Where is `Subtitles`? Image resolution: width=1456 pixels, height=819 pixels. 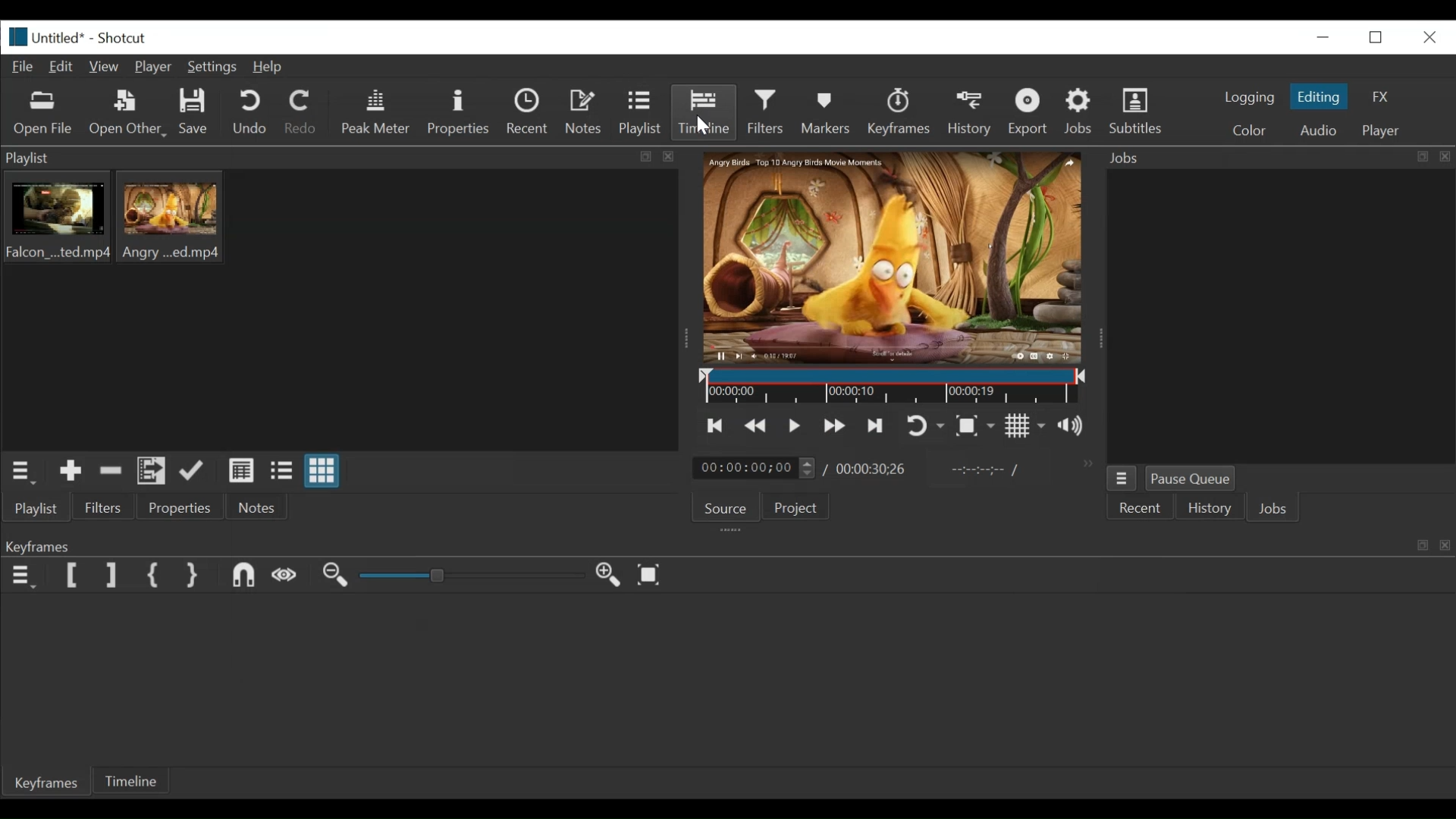
Subtitles is located at coordinates (1136, 111).